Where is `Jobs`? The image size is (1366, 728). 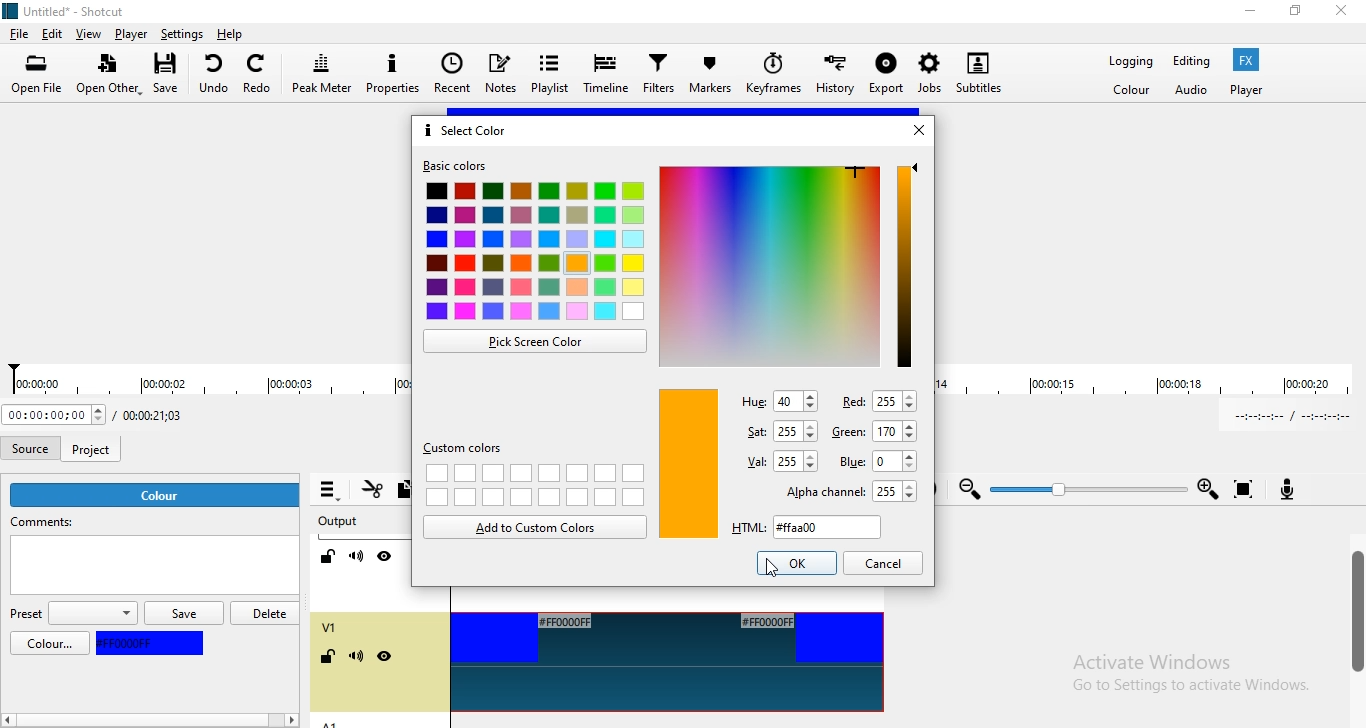
Jobs is located at coordinates (927, 76).